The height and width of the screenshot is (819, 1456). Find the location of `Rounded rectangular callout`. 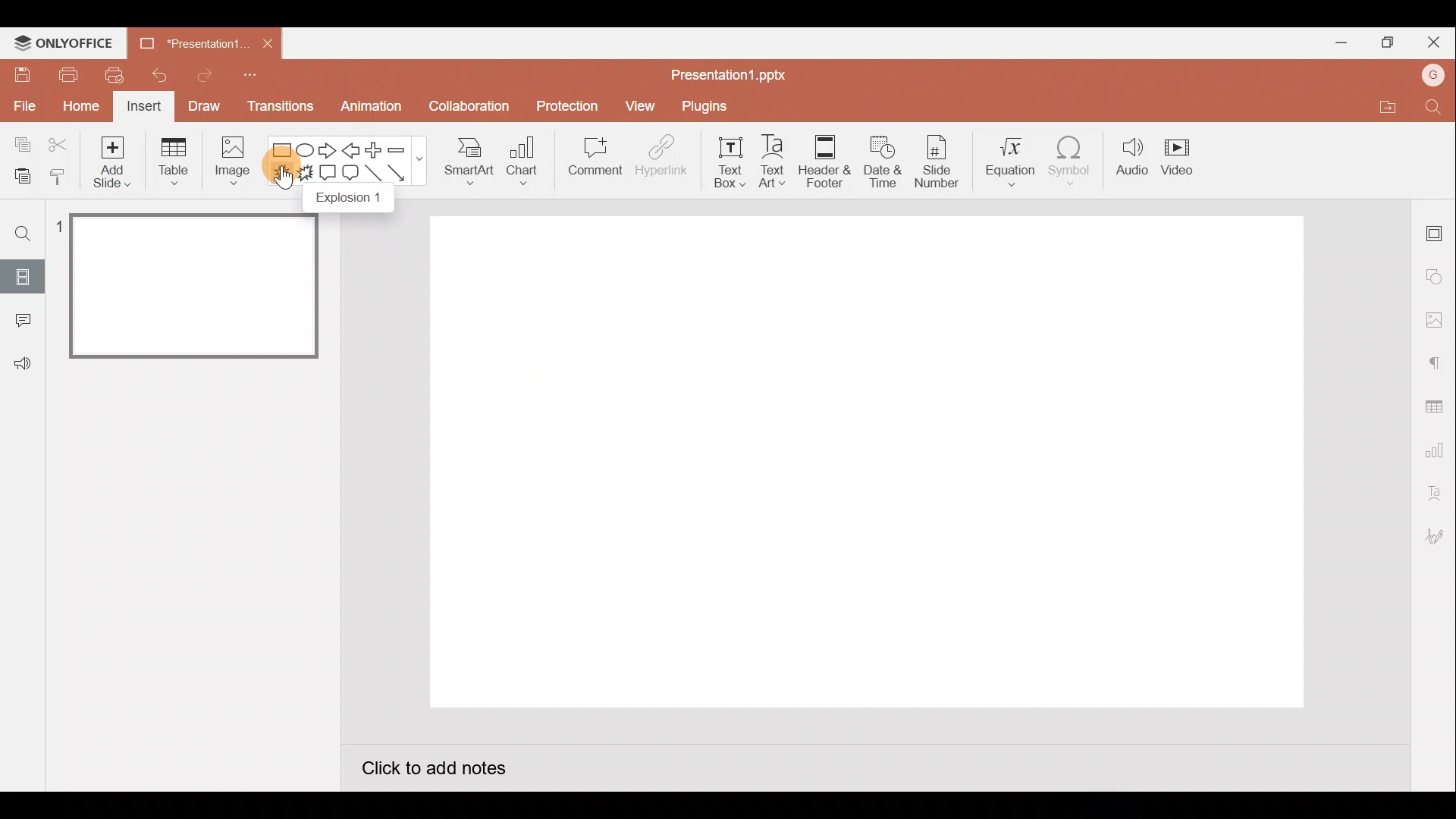

Rounded rectangular callout is located at coordinates (350, 174).